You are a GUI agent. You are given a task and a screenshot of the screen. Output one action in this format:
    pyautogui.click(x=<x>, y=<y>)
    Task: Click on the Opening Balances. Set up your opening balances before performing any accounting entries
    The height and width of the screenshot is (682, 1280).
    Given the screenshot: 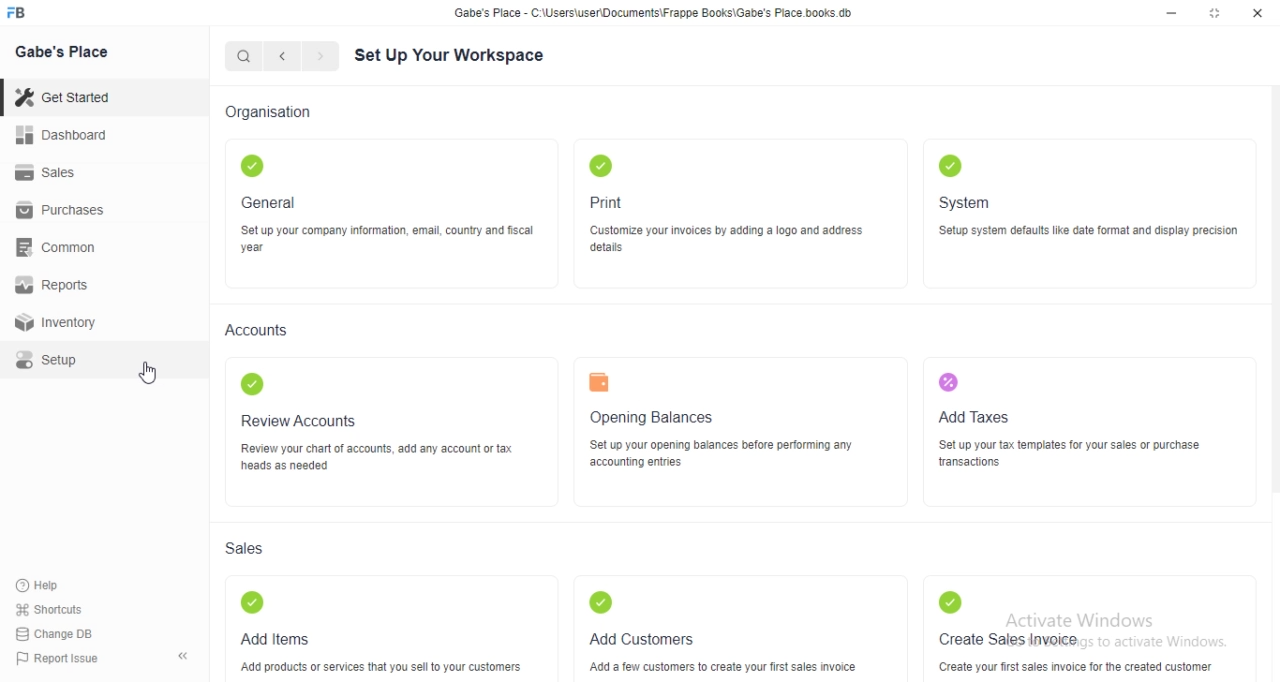 What is the action you would take?
    pyautogui.click(x=718, y=431)
    